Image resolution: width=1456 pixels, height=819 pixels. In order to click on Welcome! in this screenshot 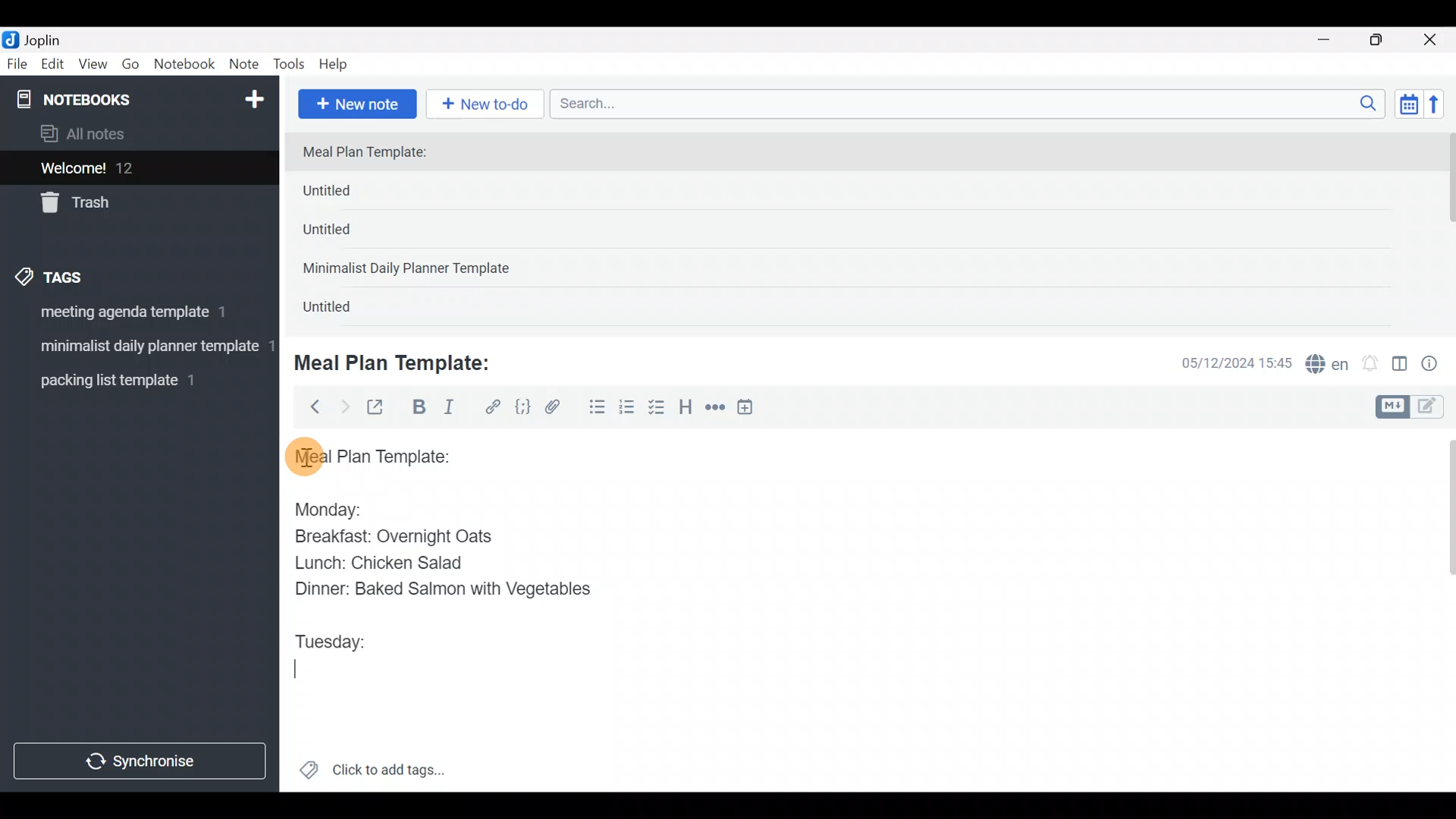, I will do `click(137, 169)`.